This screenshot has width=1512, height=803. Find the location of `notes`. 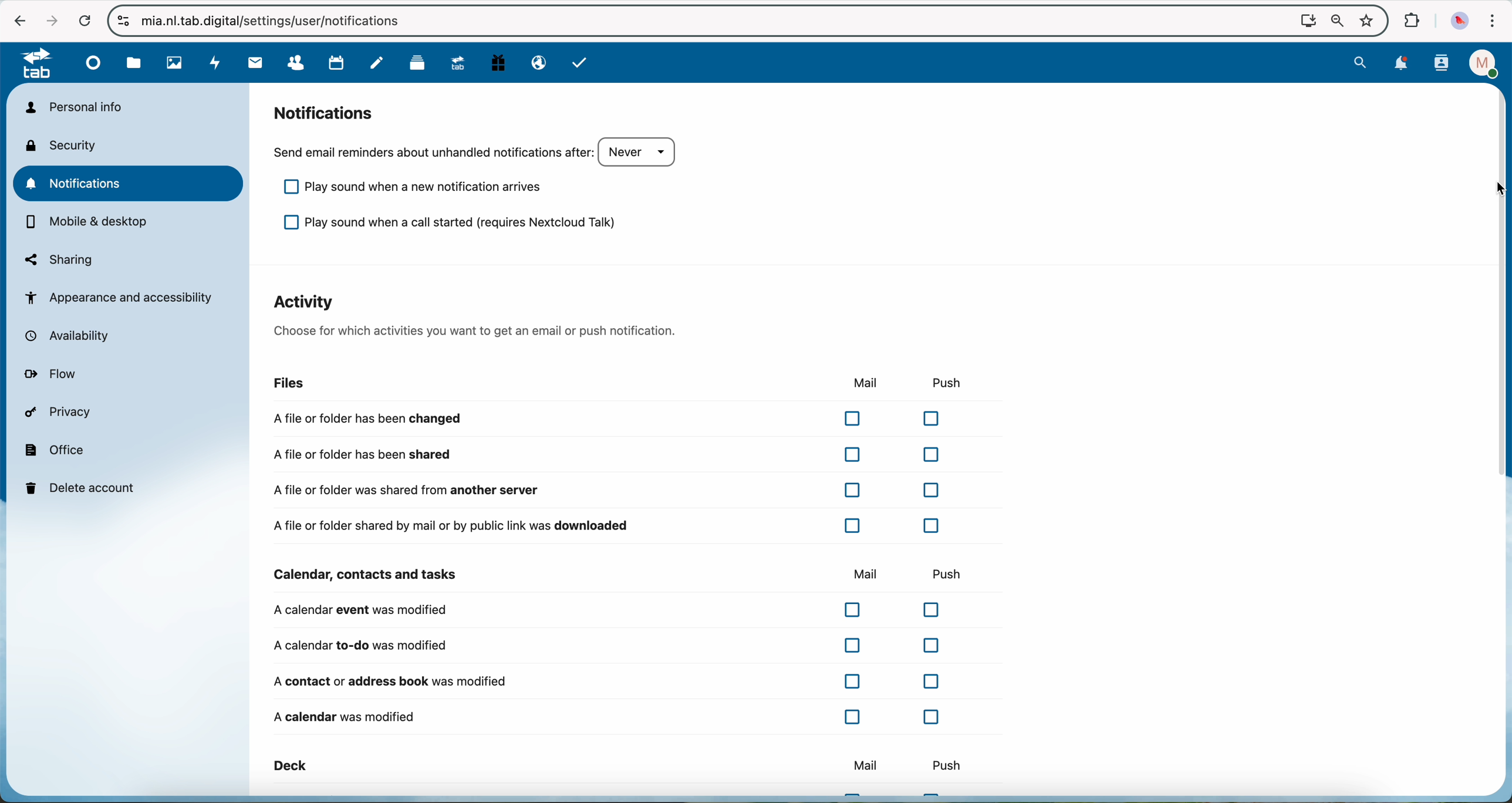

notes is located at coordinates (377, 63).